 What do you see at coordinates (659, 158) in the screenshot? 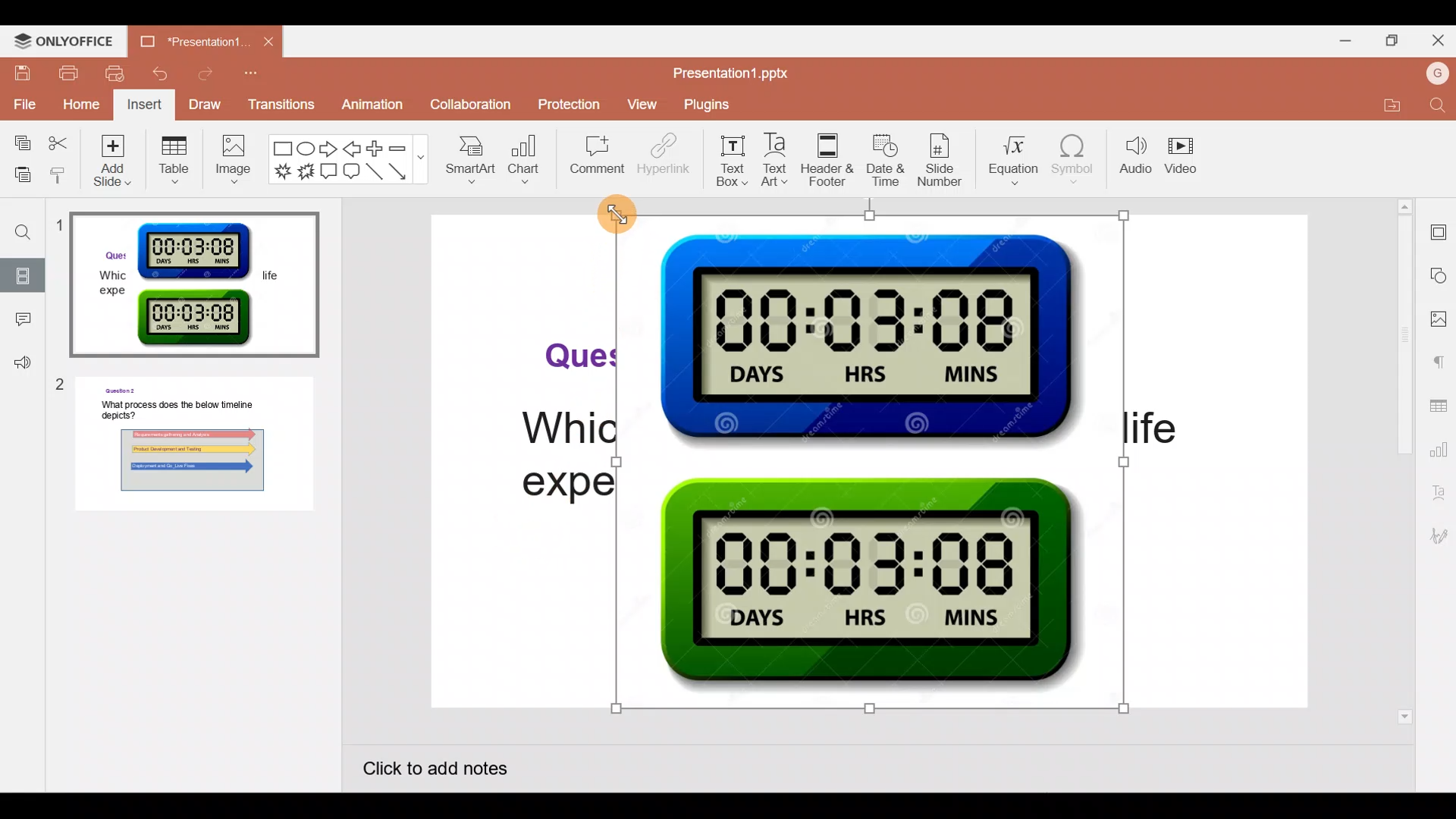
I see `Hyperlink` at bounding box center [659, 158].